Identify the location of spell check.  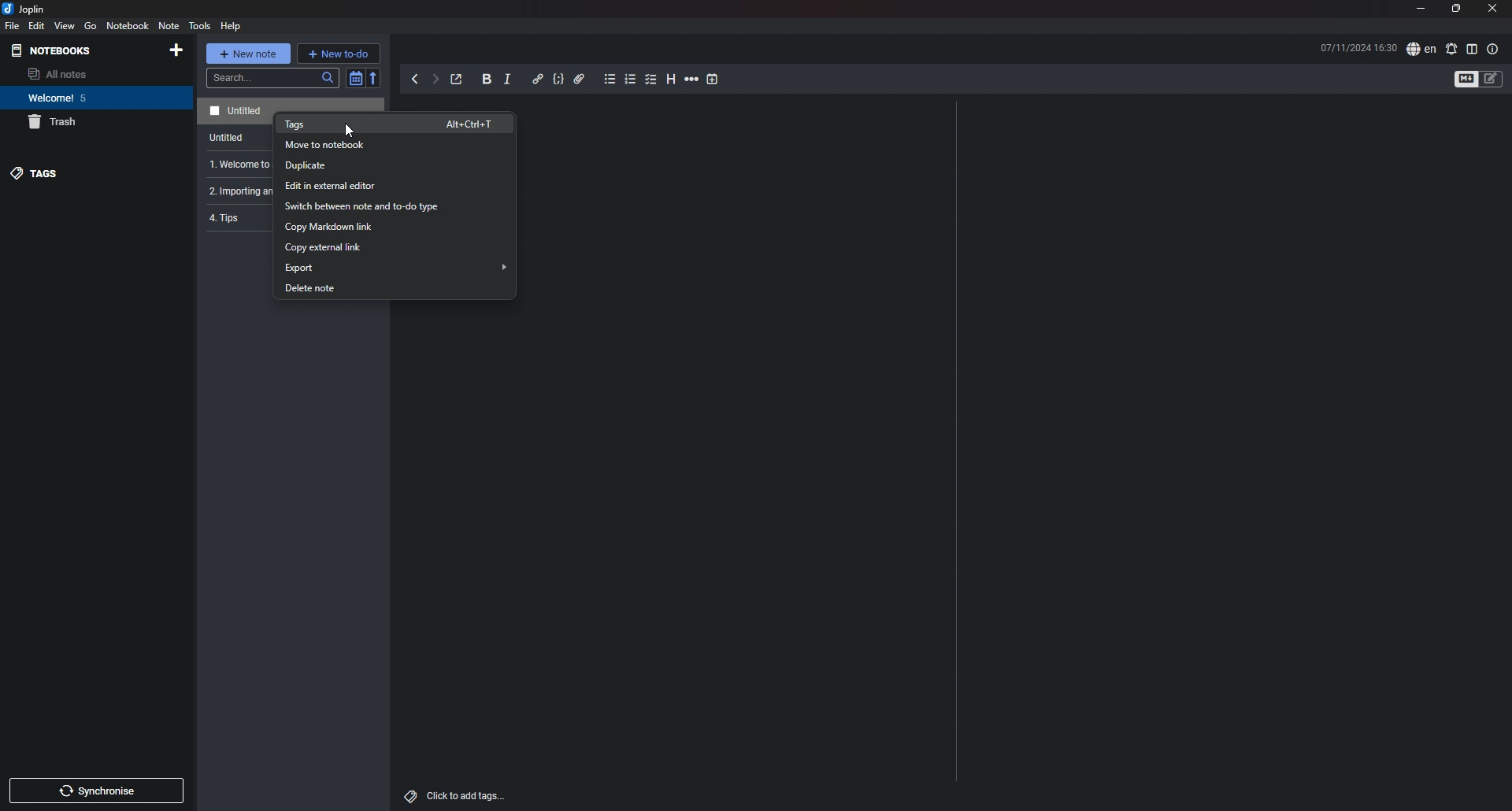
(1421, 50).